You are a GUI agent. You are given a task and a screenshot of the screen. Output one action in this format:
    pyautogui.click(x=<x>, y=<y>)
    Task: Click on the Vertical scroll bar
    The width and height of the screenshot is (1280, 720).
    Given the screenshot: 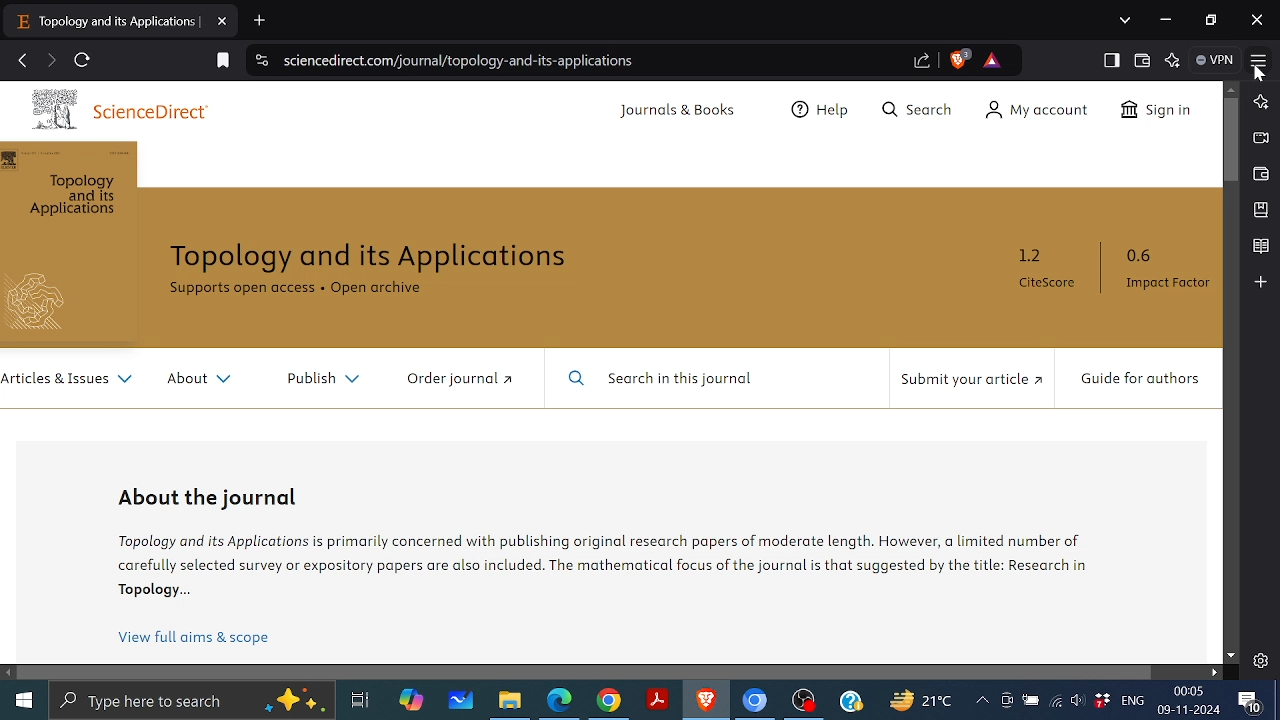 What is the action you would take?
    pyautogui.click(x=1231, y=141)
    